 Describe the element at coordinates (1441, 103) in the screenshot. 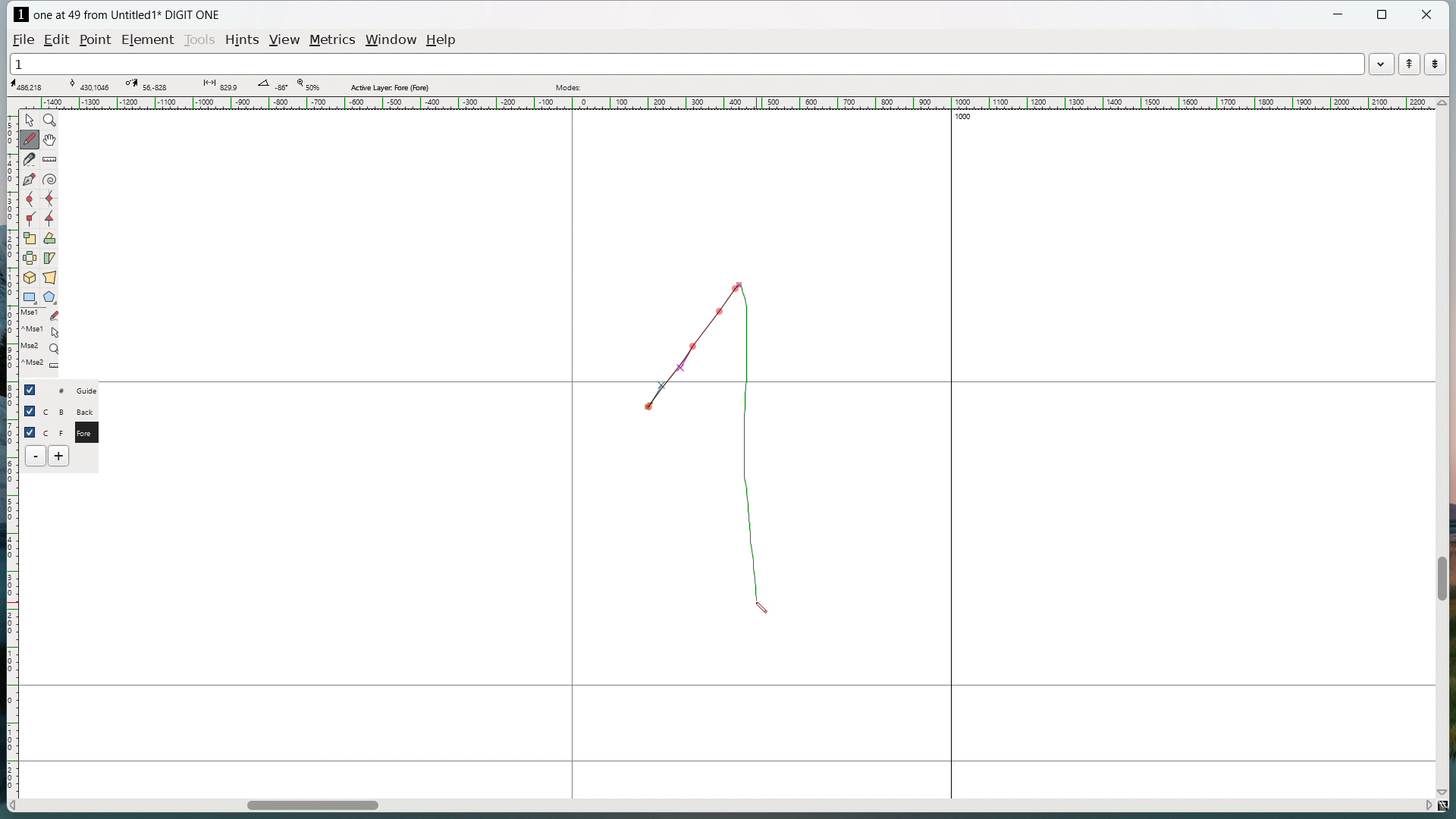

I see `scroll up` at that location.